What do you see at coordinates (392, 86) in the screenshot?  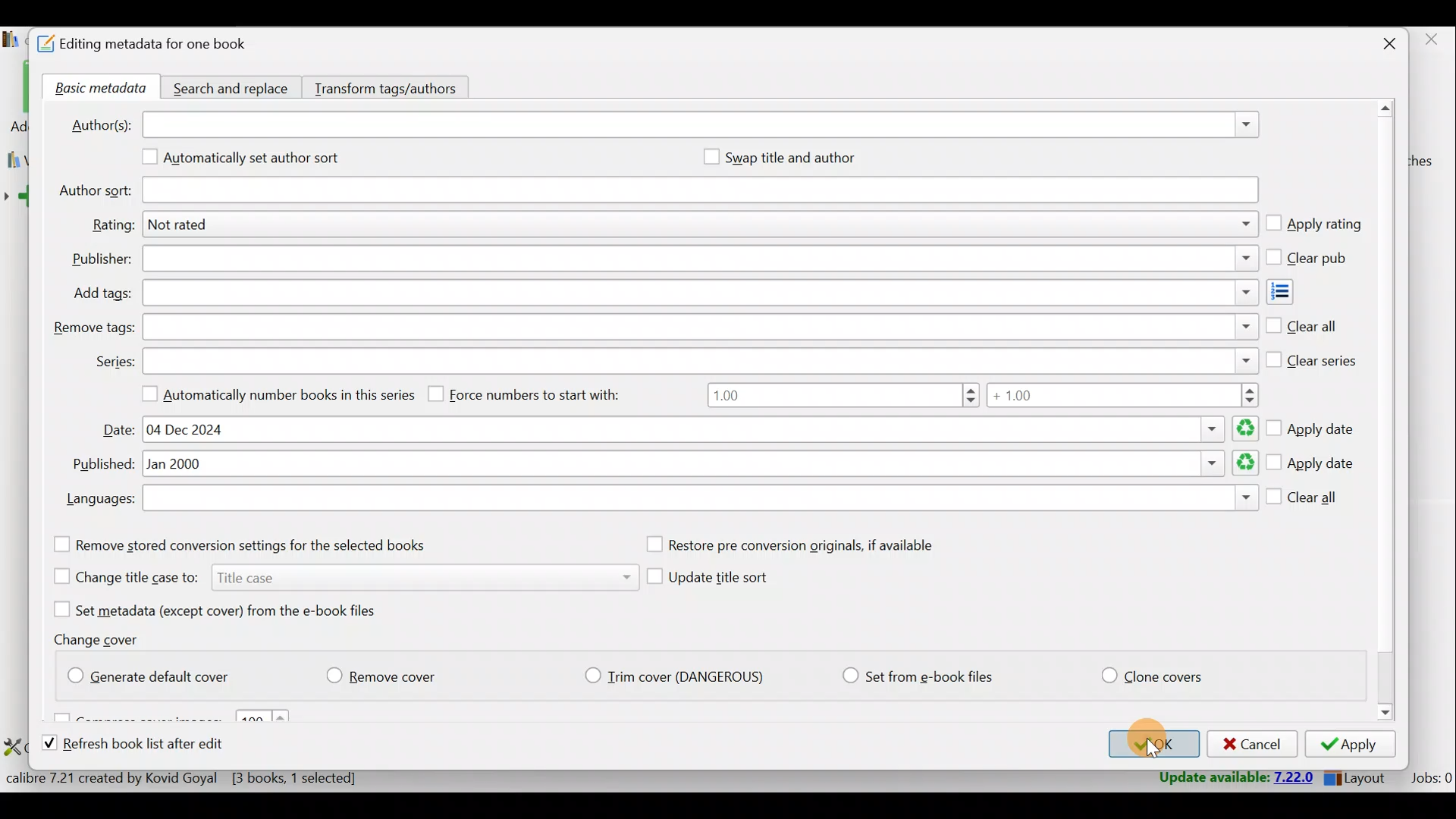 I see `Transform tags/authors` at bounding box center [392, 86].